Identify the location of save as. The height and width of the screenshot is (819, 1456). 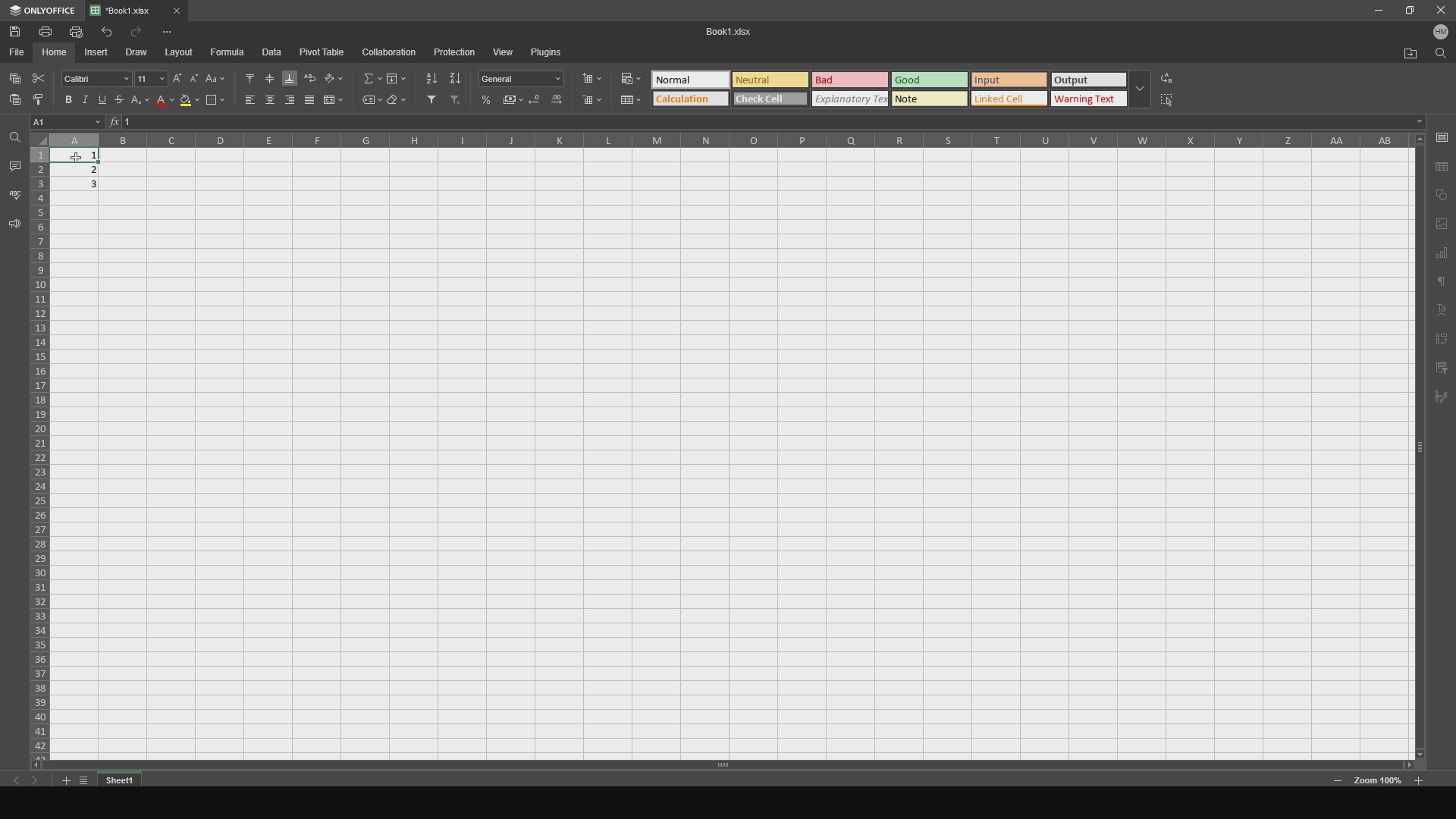
(1443, 165).